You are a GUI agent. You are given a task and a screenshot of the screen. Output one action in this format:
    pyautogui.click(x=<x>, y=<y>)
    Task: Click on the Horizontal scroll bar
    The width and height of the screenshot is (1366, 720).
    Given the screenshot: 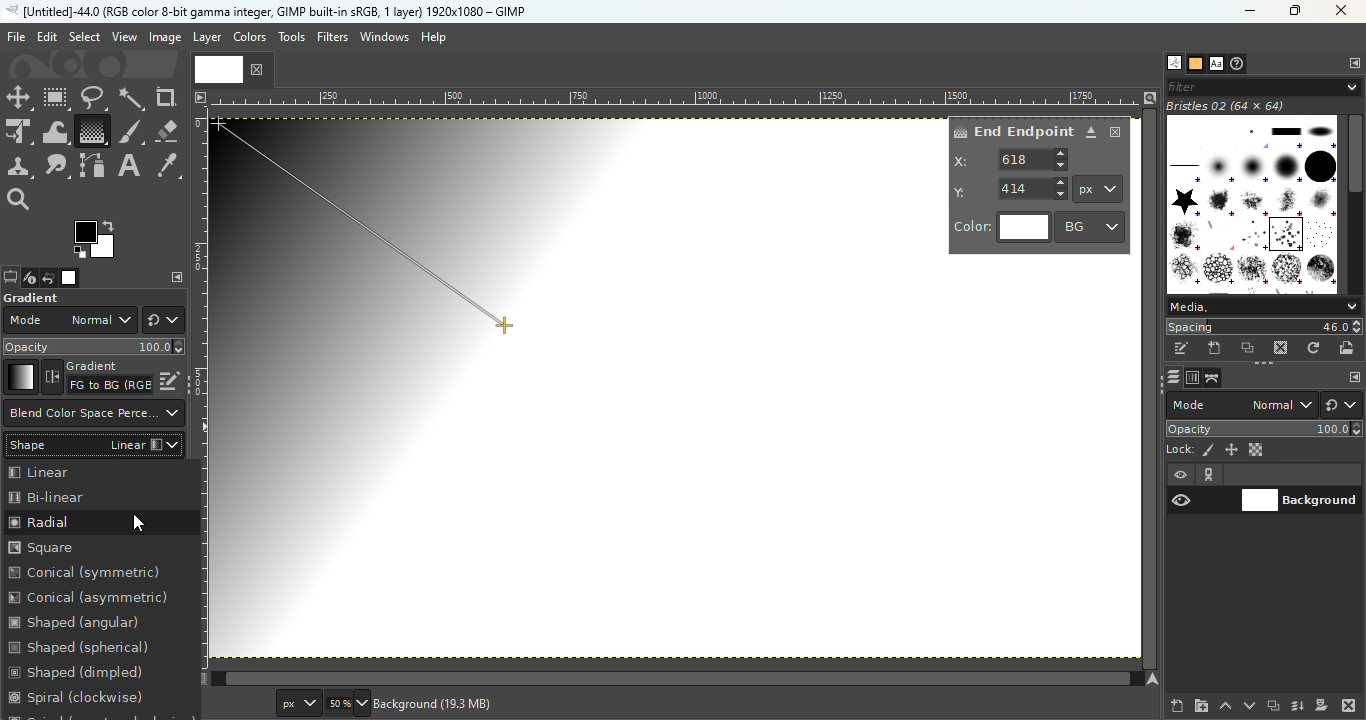 What is the action you would take?
    pyautogui.click(x=1152, y=389)
    